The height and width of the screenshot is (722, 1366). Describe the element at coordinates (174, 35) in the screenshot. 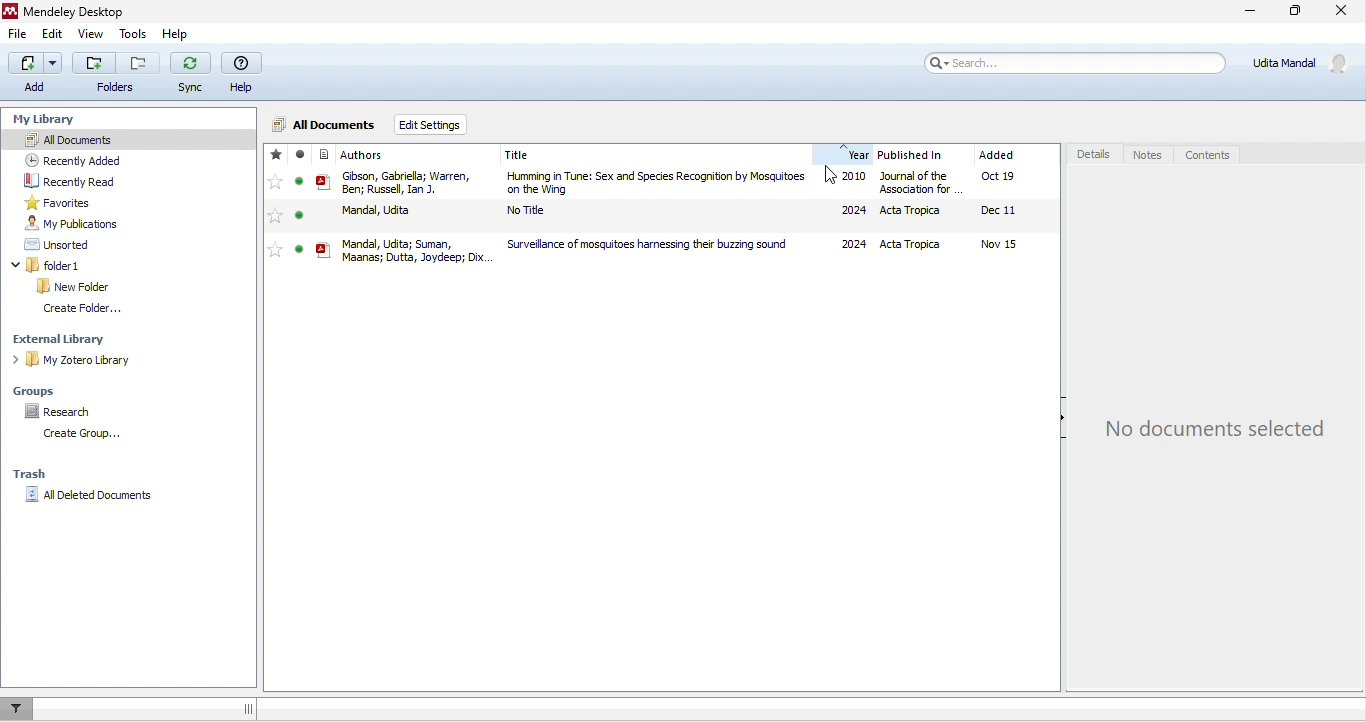

I see `help` at that location.